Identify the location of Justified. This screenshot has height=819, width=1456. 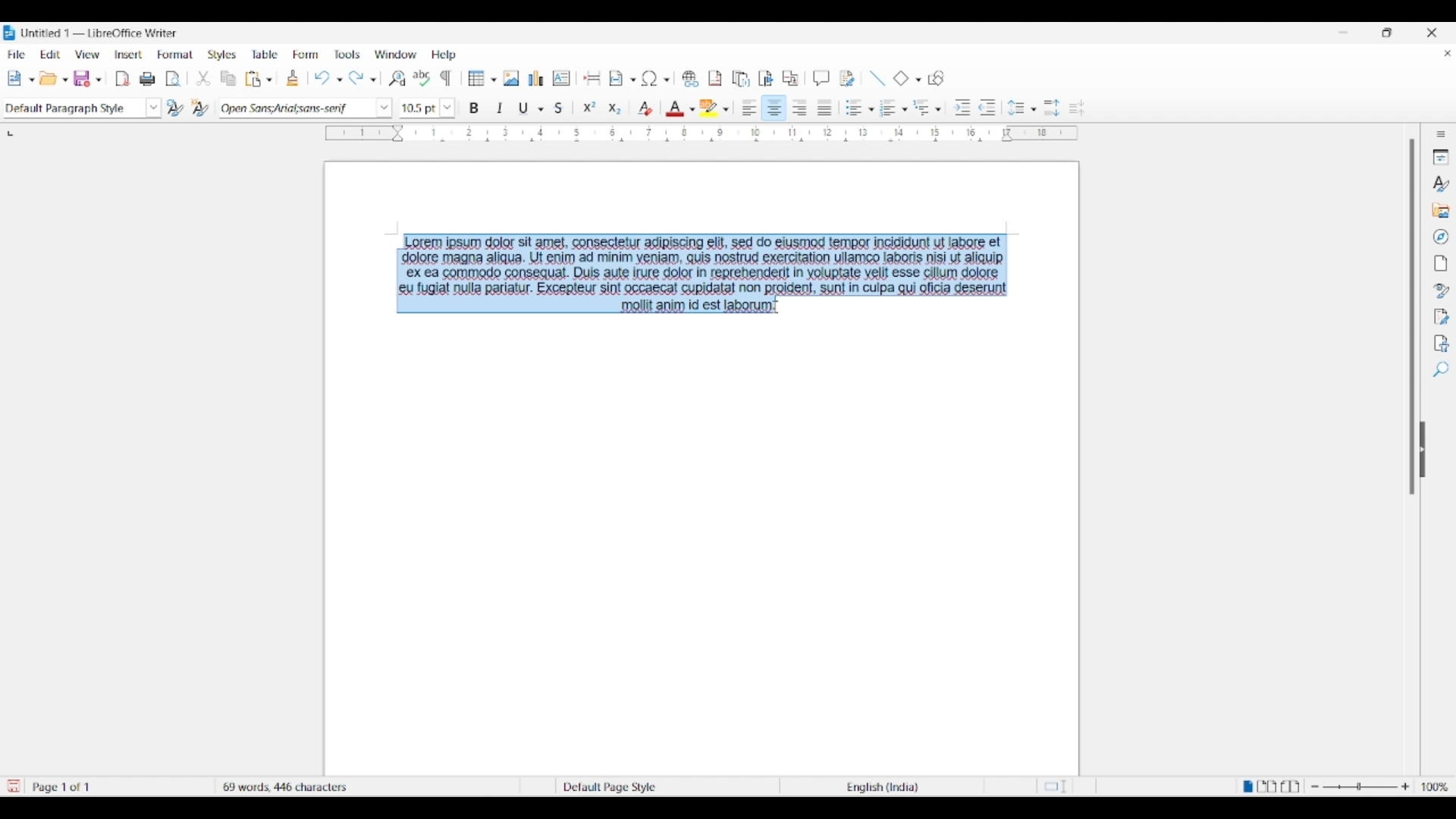
(825, 108).